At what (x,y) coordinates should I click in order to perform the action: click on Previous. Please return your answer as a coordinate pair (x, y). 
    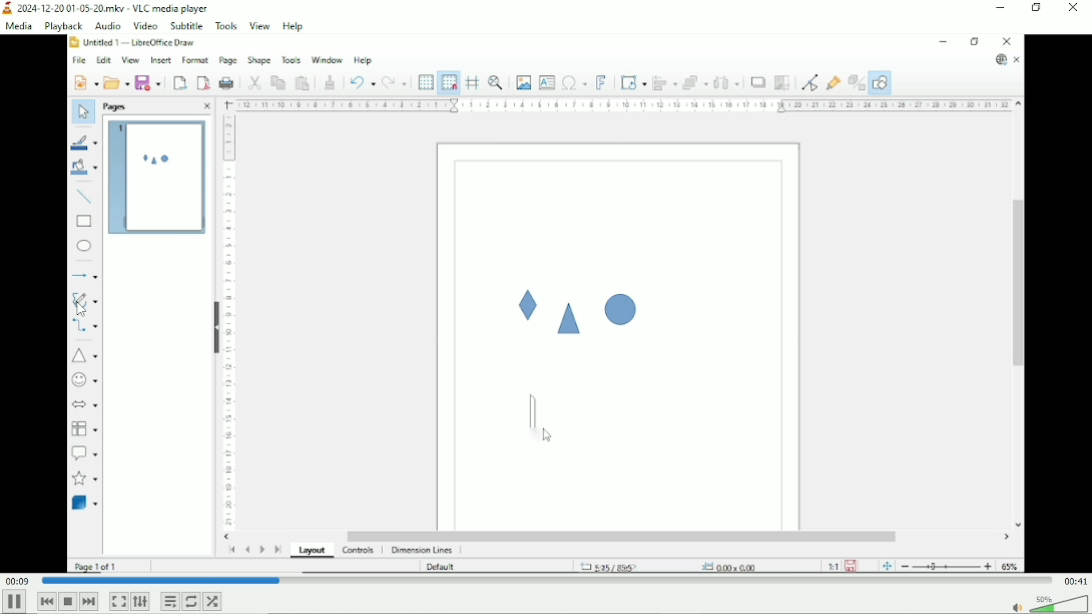
    Looking at the image, I should click on (46, 601).